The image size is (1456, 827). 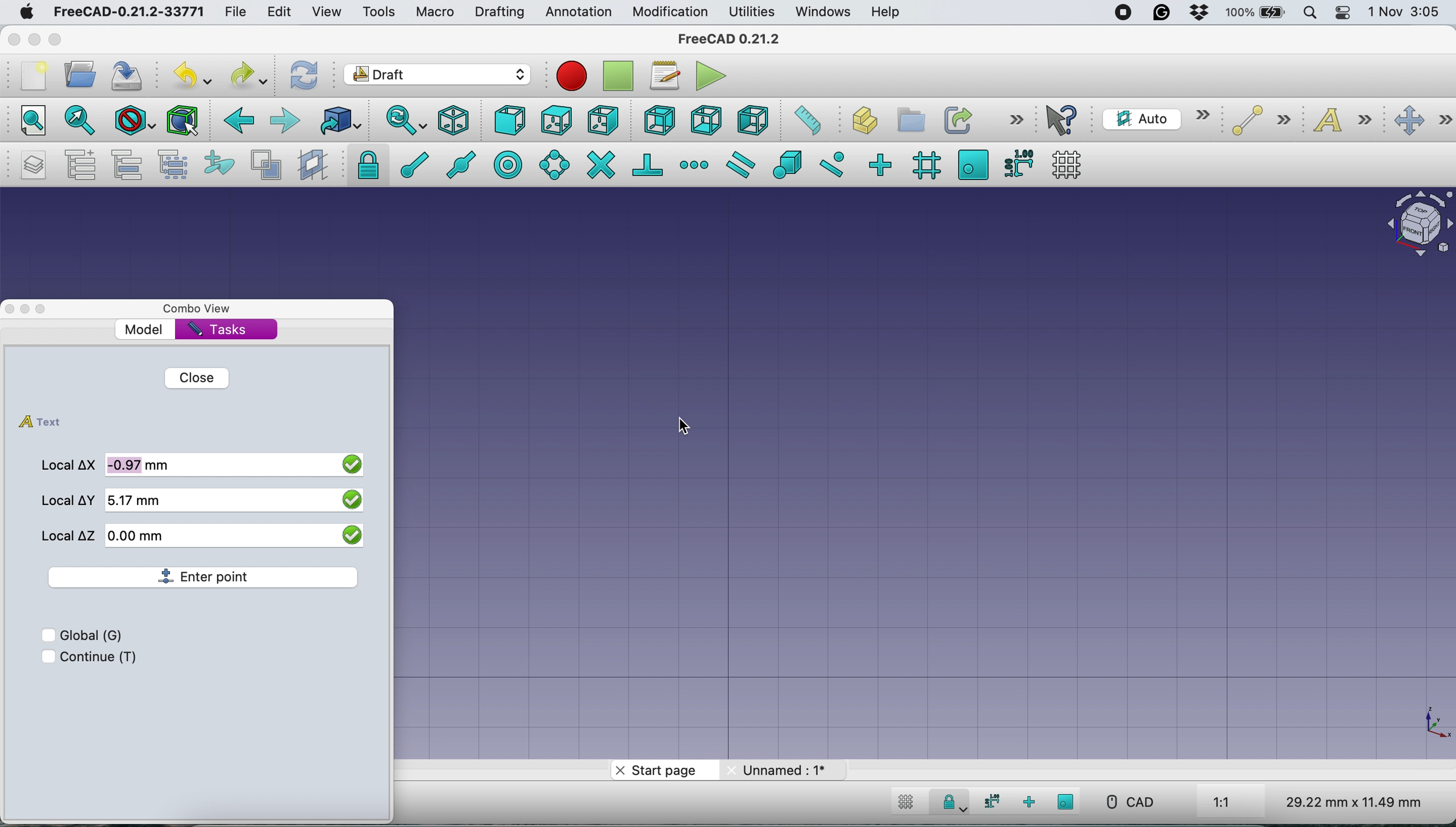 What do you see at coordinates (1017, 165) in the screenshot?
I see `snap dimensions` at bounding box center [1017, 165].